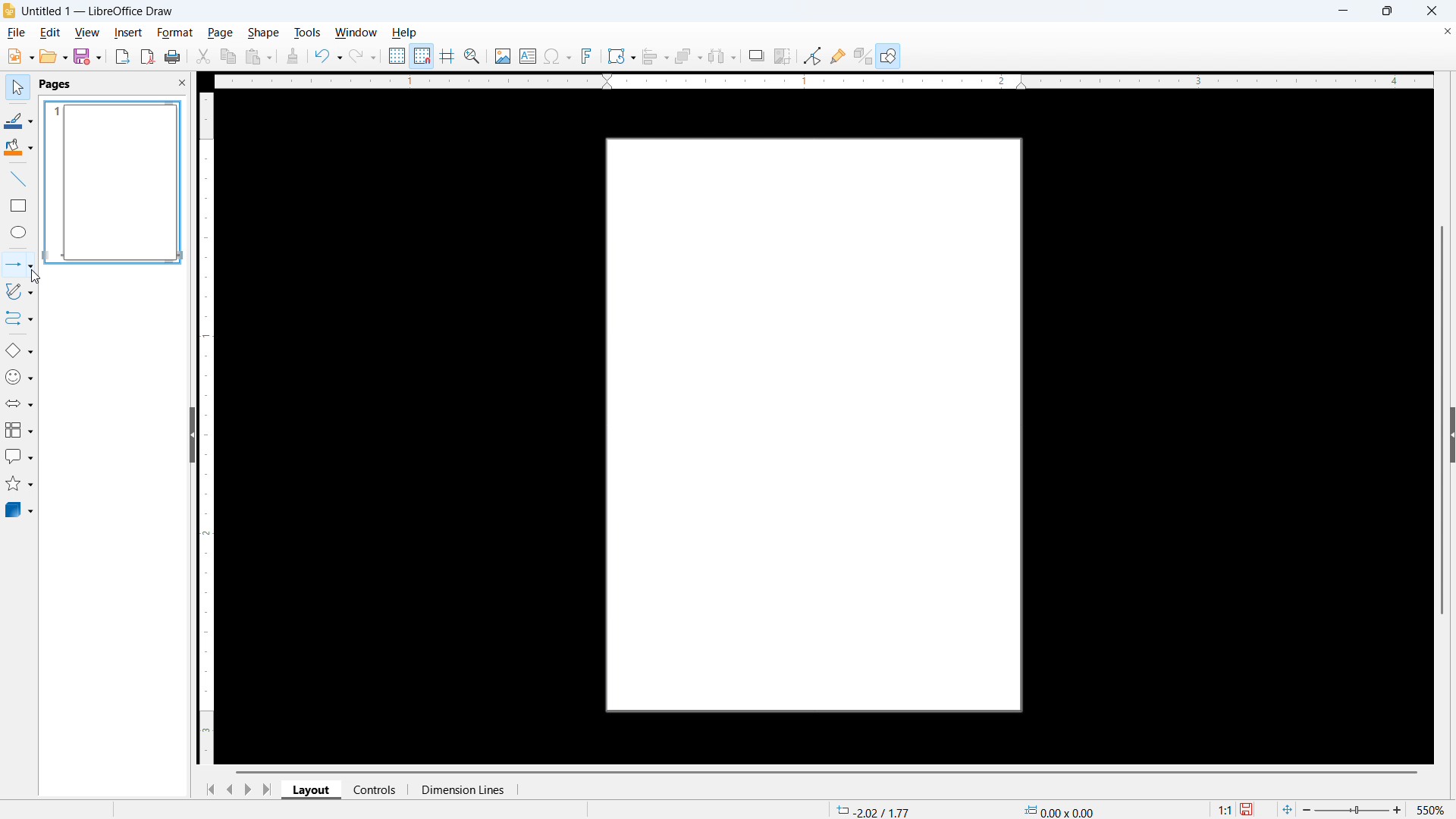 The height and width of the screenshot is (819, 1456). I want to click on Flow chart , so click(19, 430).